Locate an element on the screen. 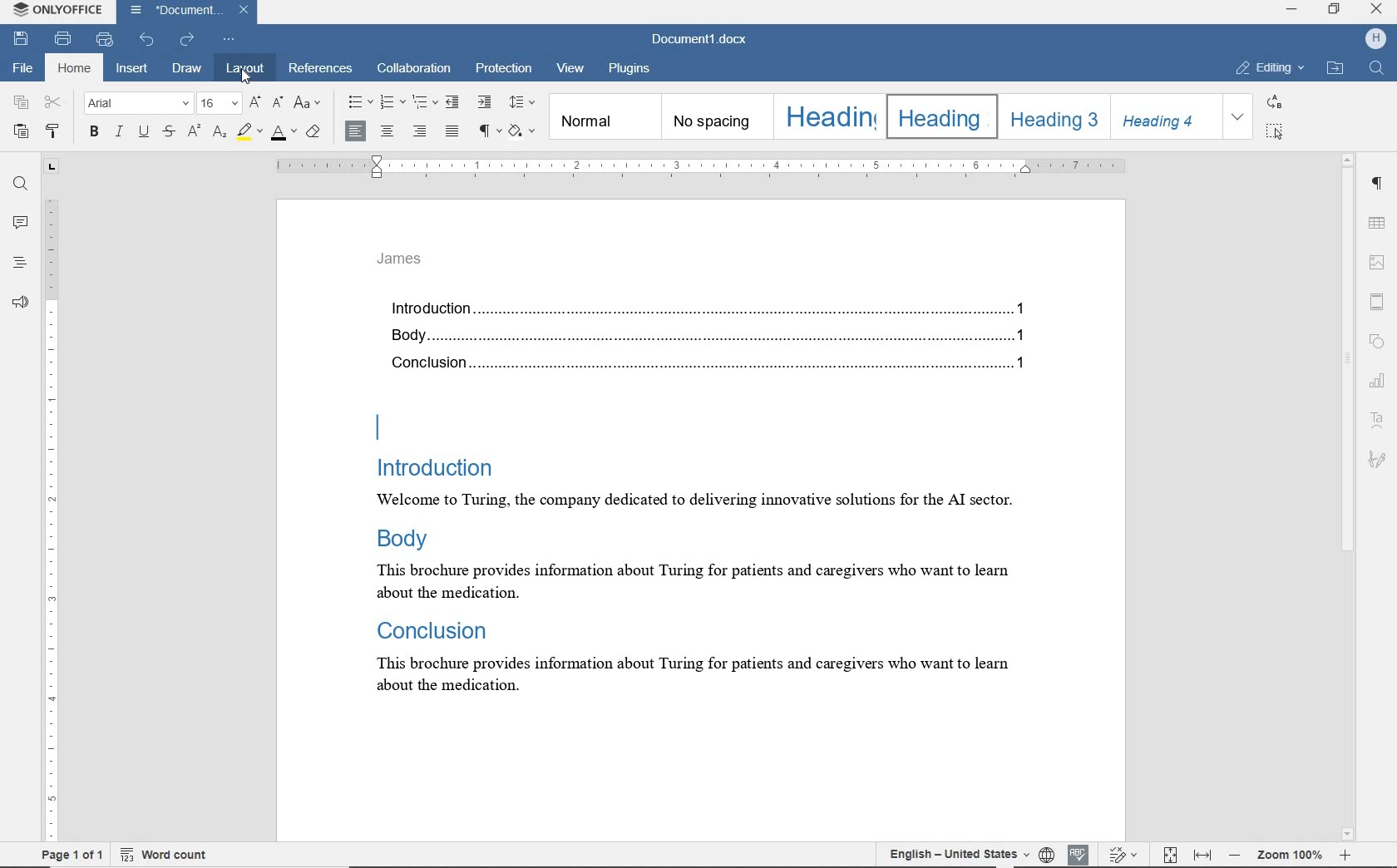 The width and height of the screenshot is (1397, 868). save is located at coordinates (21, 37).